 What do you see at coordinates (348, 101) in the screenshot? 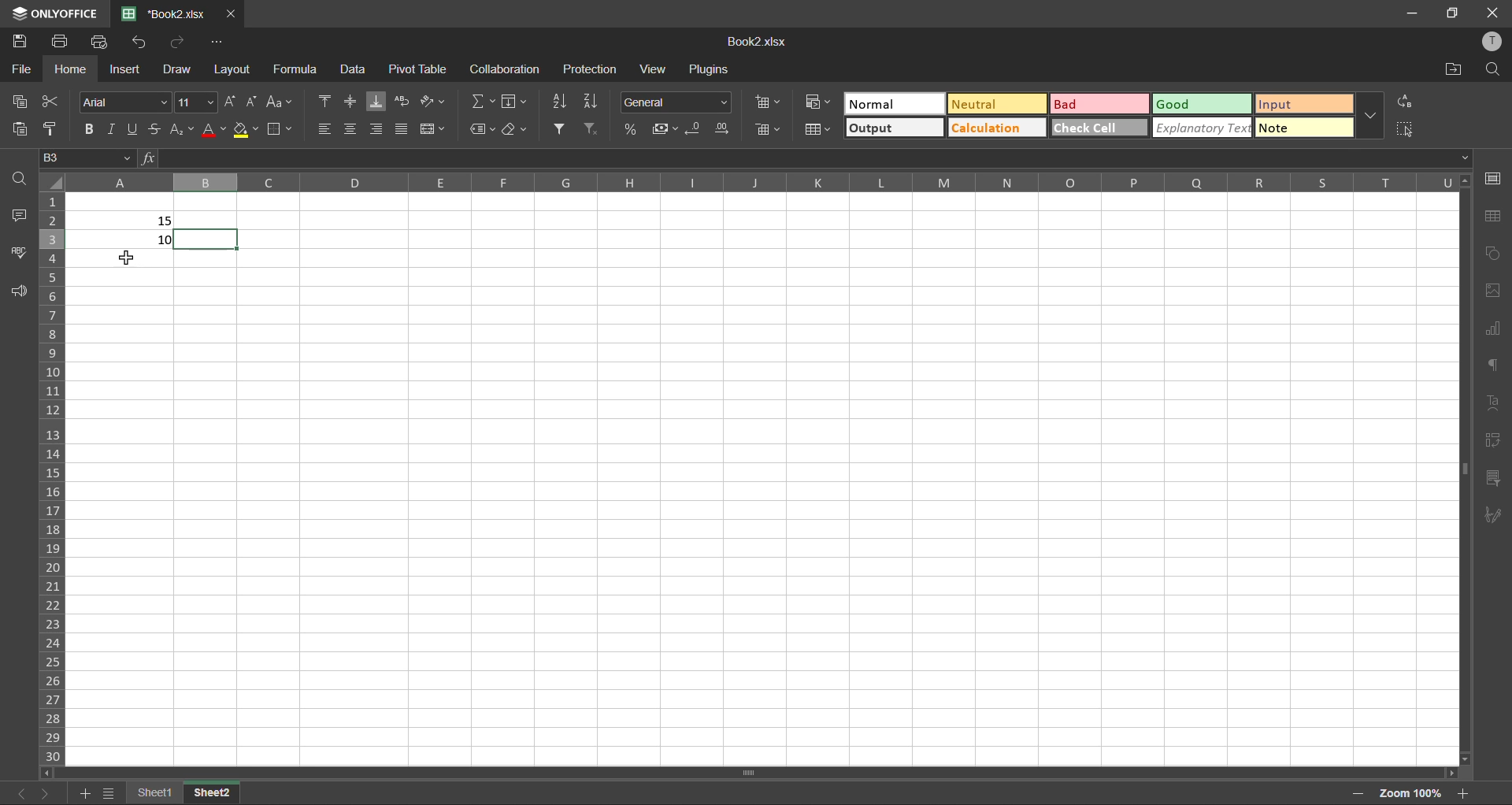
I see `align  middle` at bounding box center [348, 101].